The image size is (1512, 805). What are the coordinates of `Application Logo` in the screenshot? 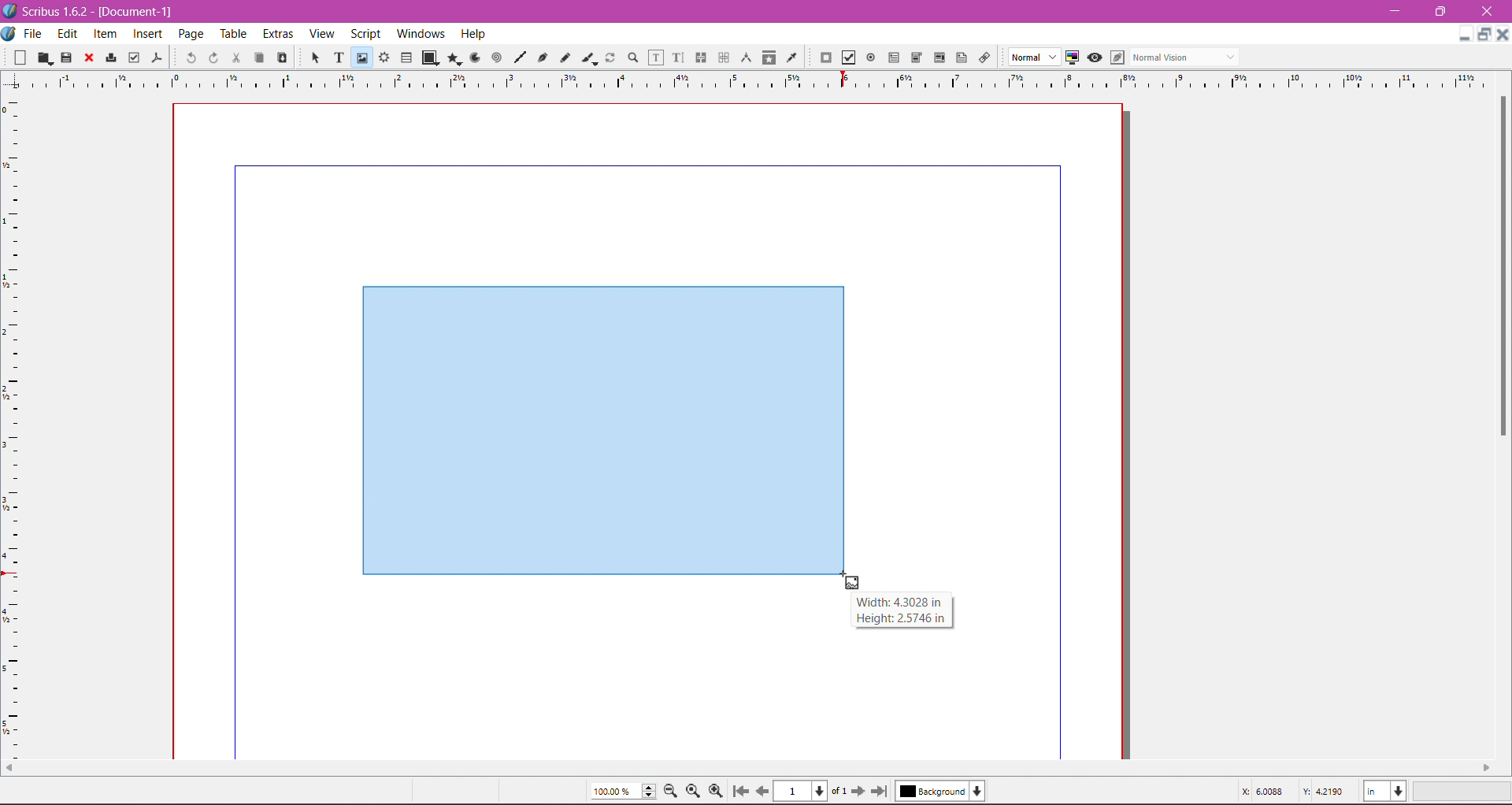 It's located at (9, 11).